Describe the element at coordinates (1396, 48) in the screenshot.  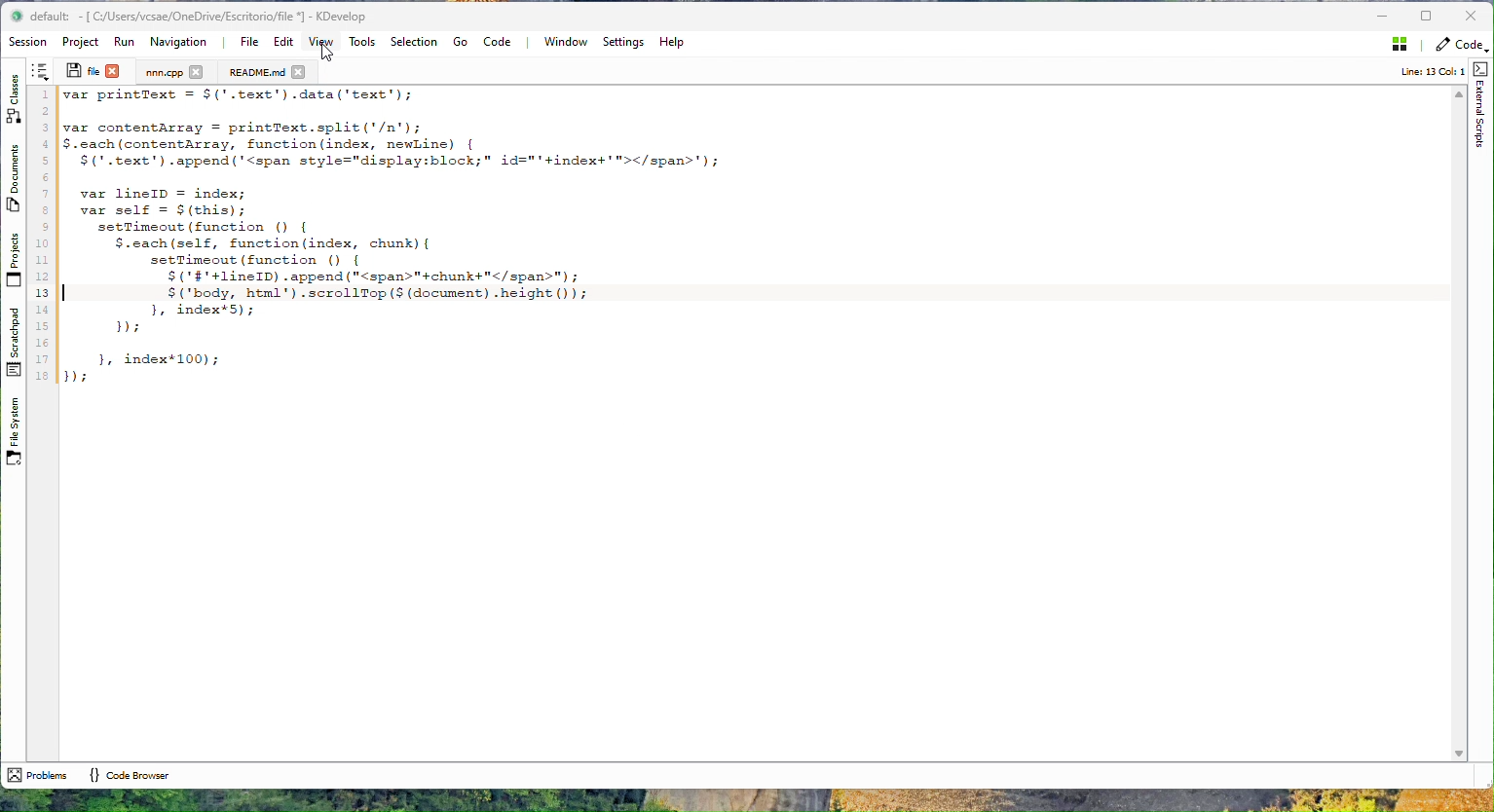
I see `Stash` at that location.